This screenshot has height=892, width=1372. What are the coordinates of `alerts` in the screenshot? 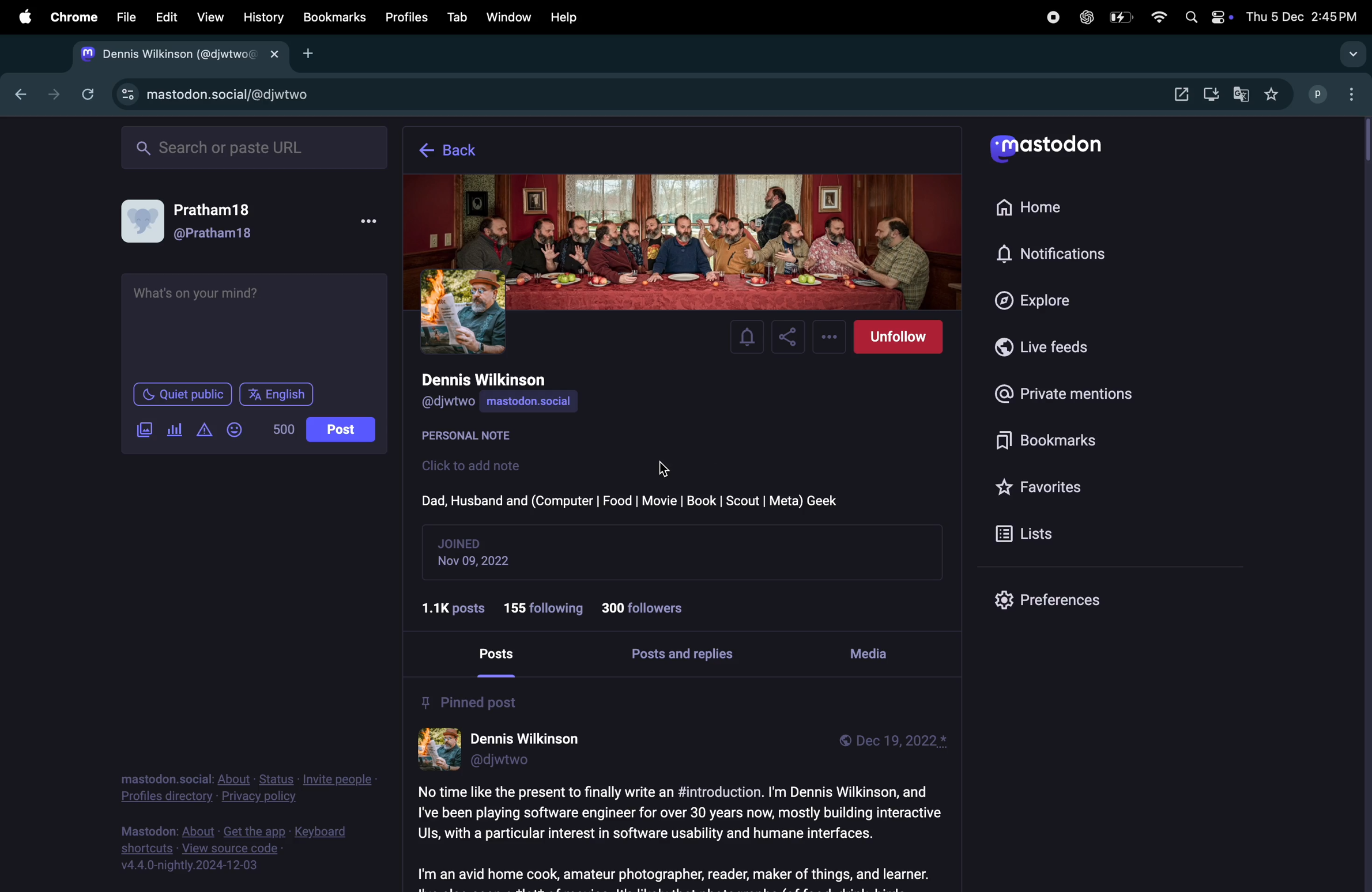 It's located at (750, 337).